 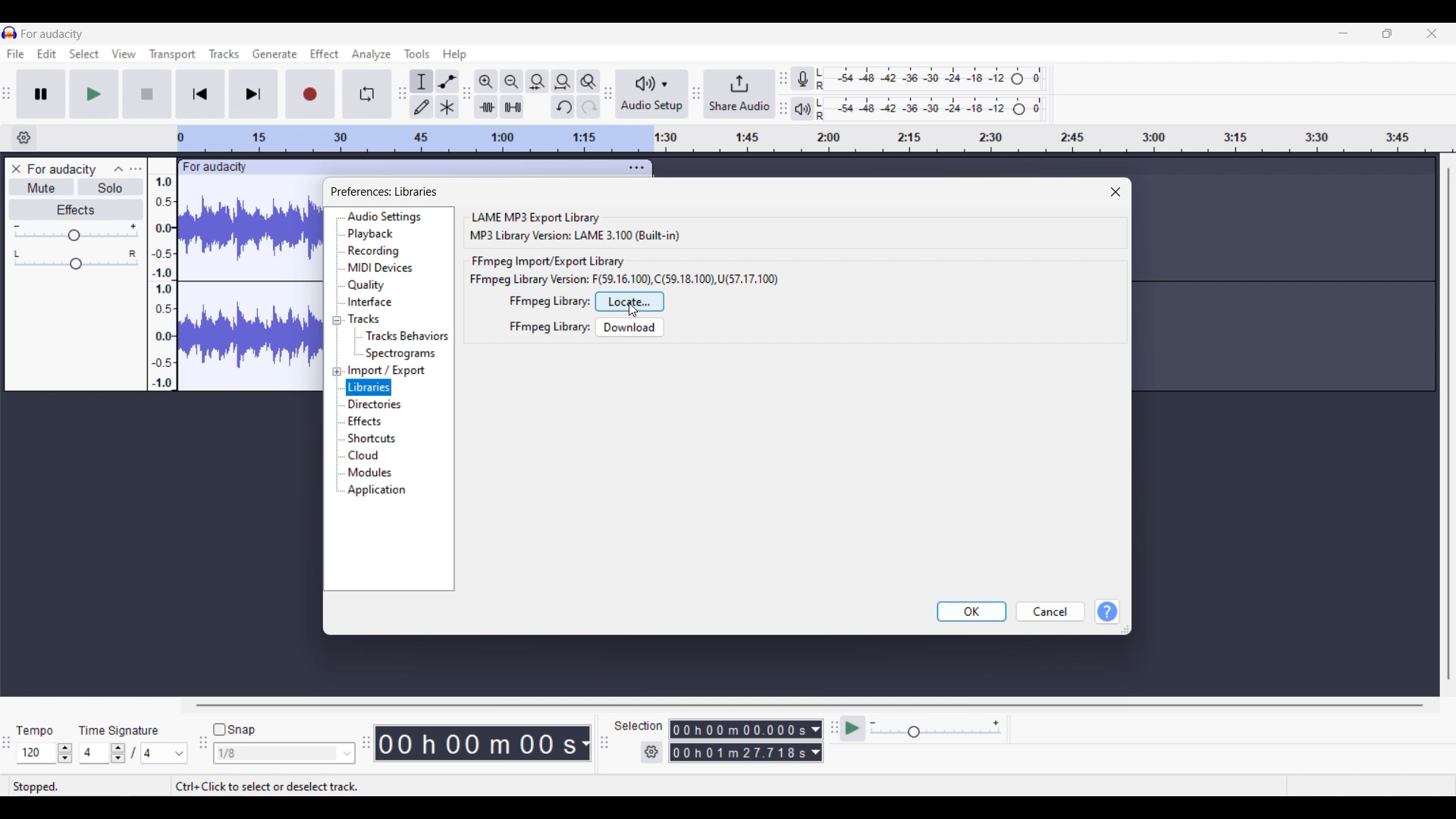 I want to click on Open menu, so click(x=136, y=168).